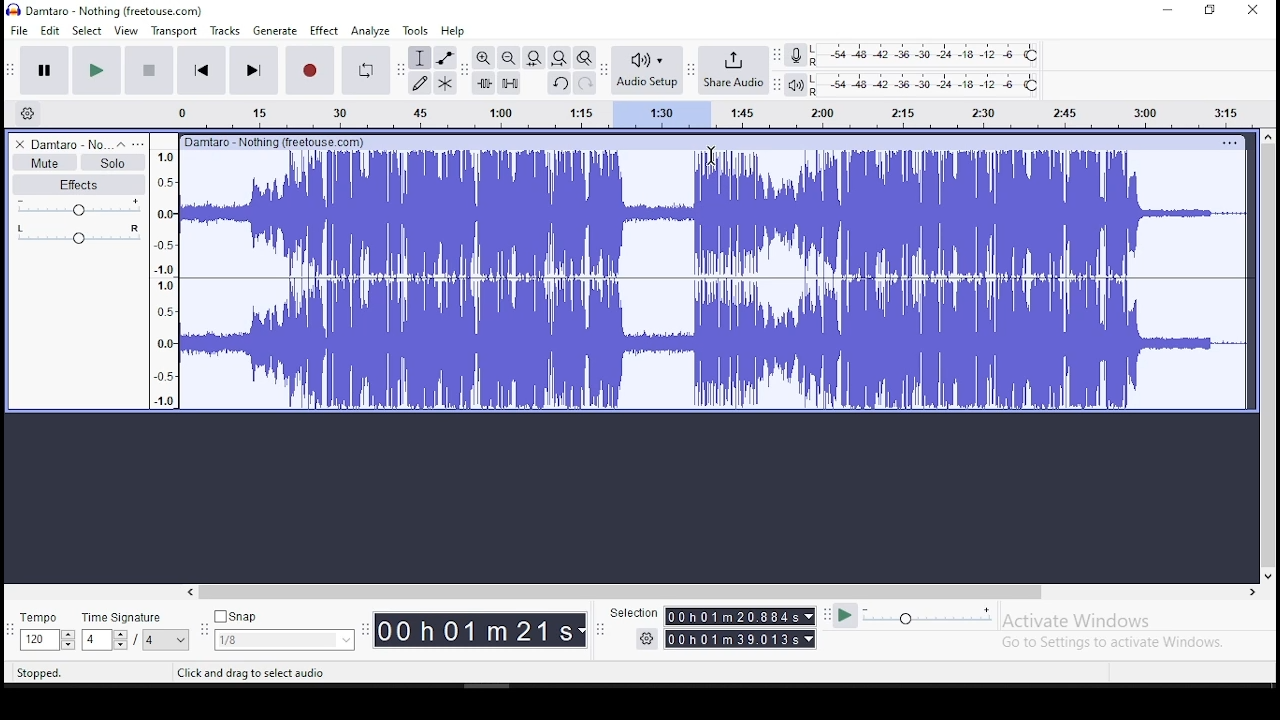 The image size is (1280, 720). Describe the element at coordinates (484, 57) in the screenshot. I see `zoom in` at that location.